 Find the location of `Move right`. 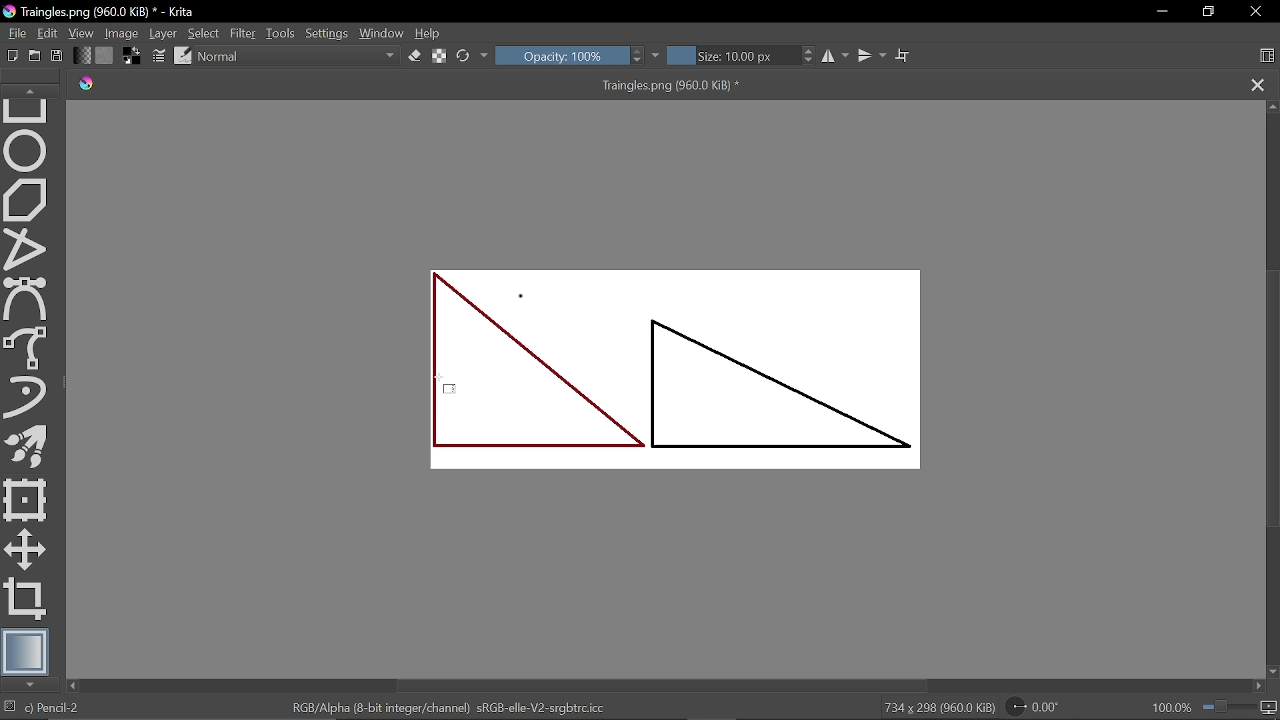

Move right is located at coordinates (1259, 685).